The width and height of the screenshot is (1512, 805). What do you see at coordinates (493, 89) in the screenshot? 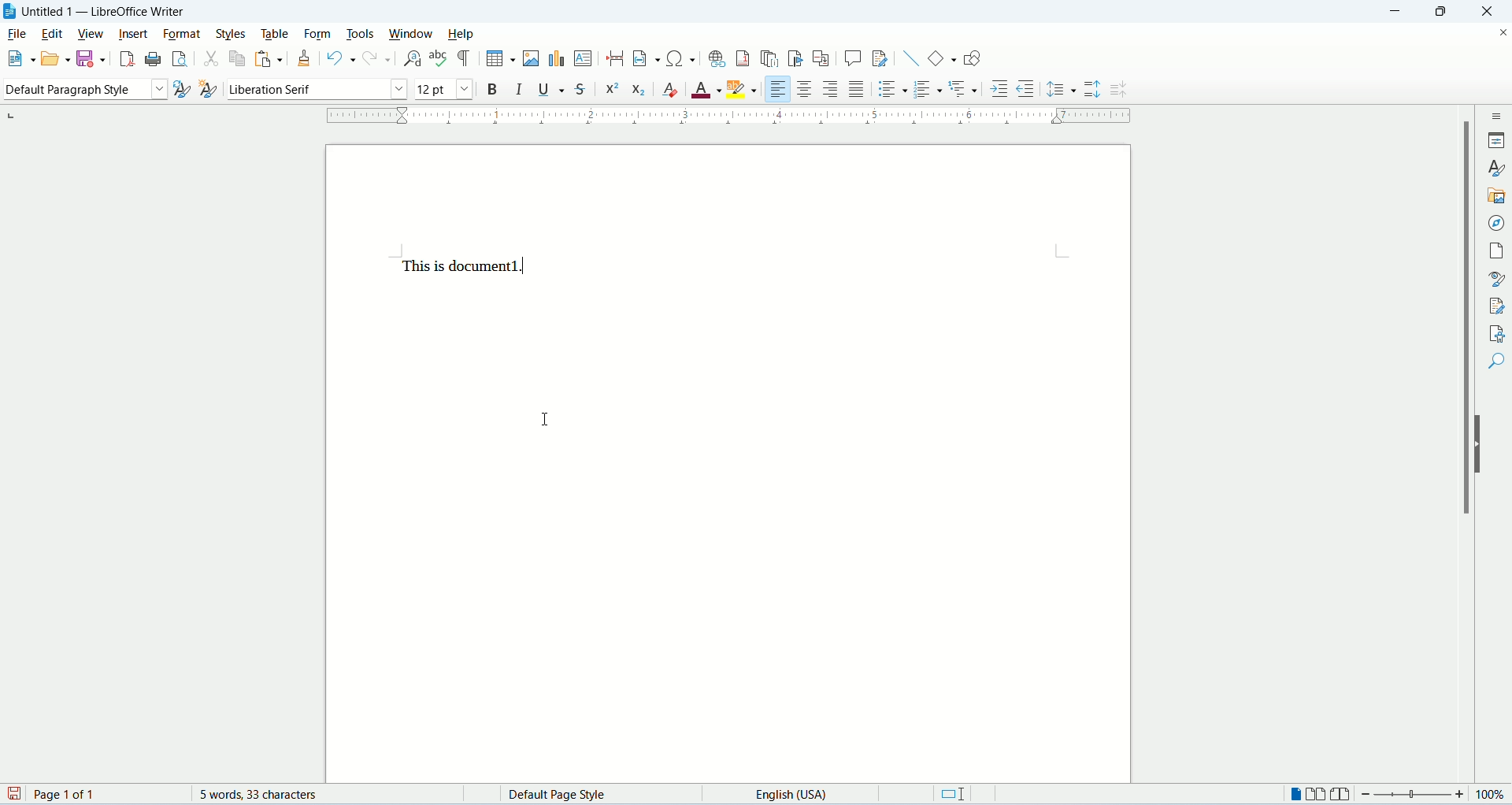
I see `bold` at bounding box center [493, 89].